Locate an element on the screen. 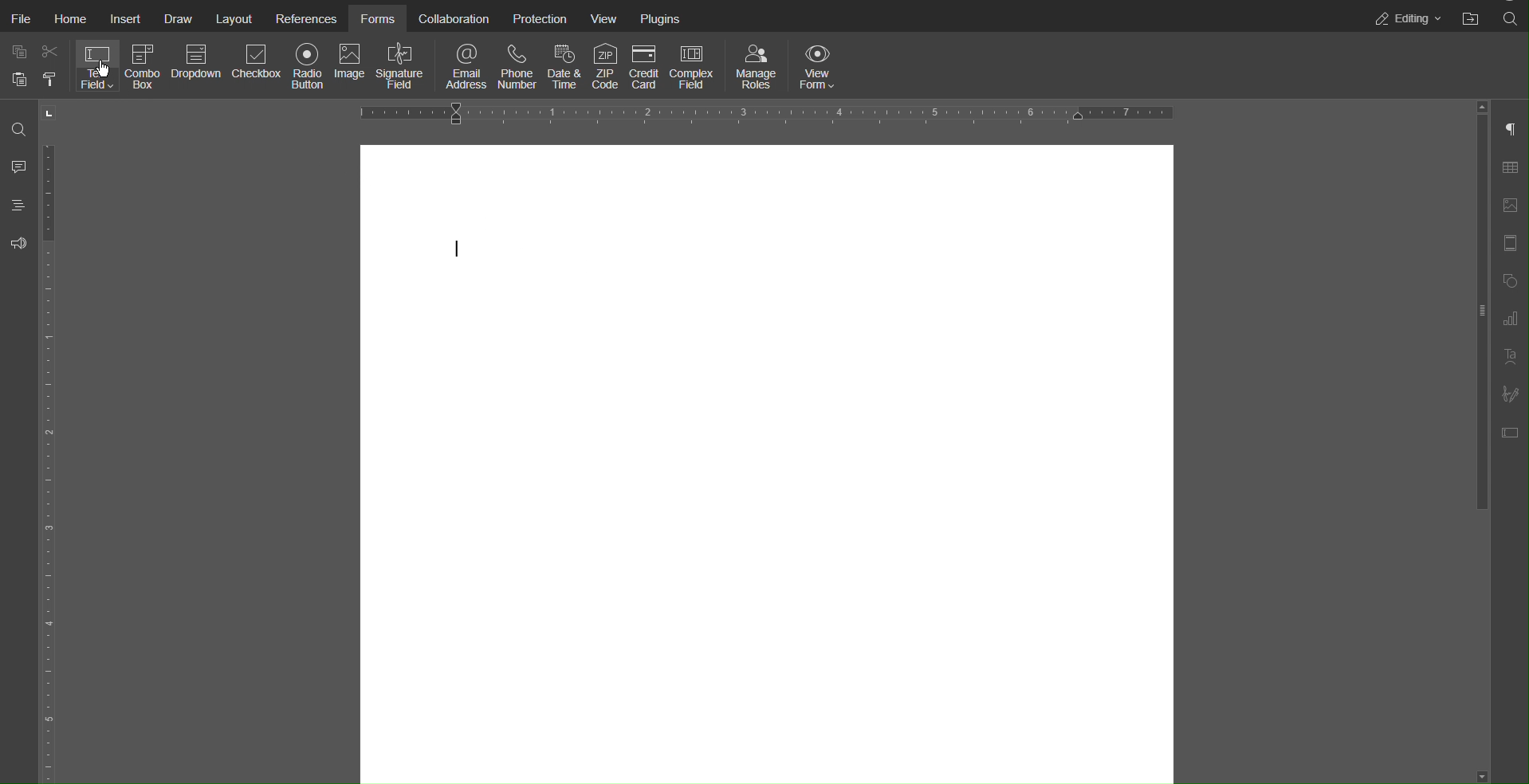 The width and height of the screenshot is (1529, 784). Table Settings is located at coordinates (1511, 167).